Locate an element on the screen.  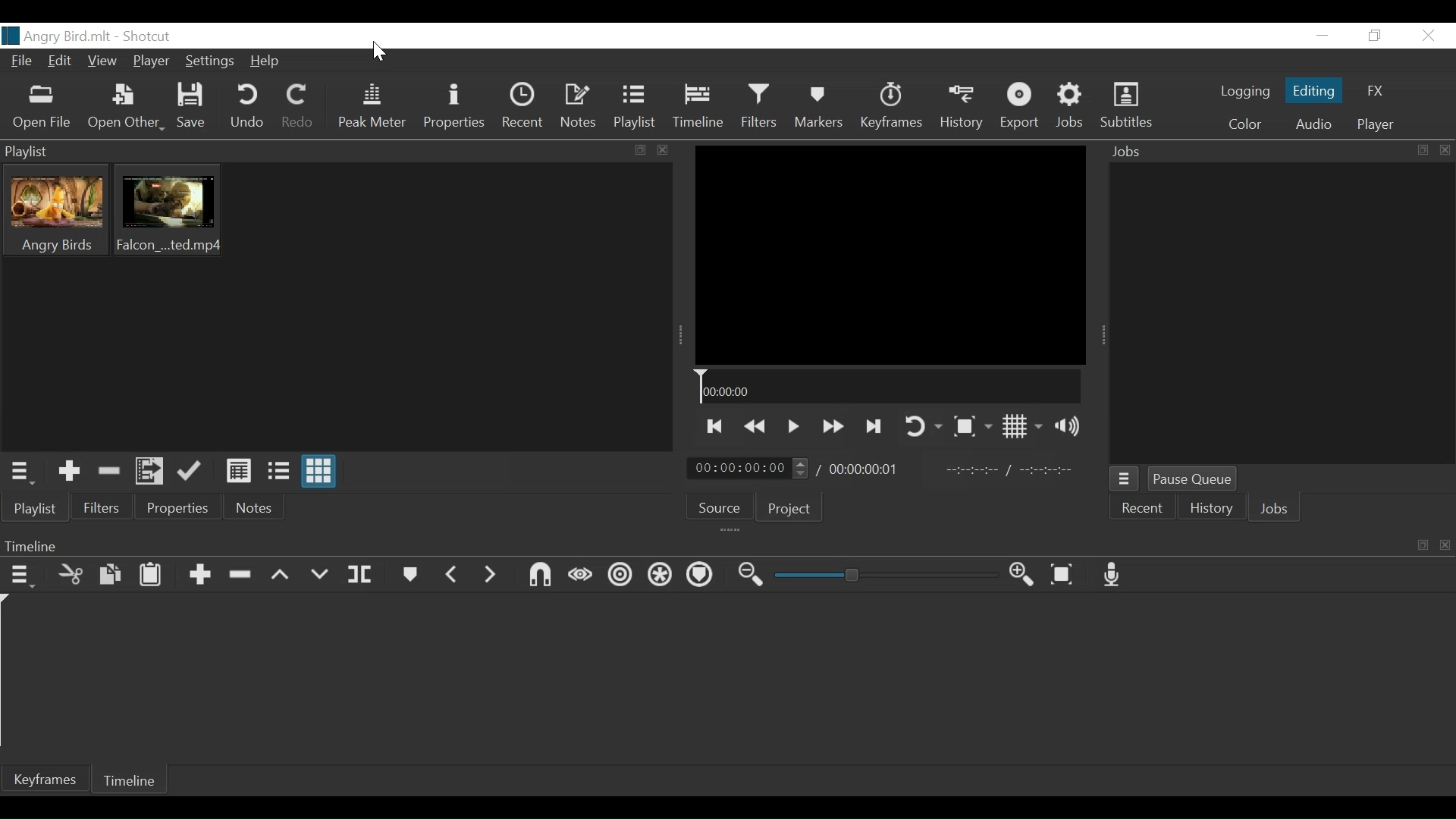
Append is located at coordinates (199, 575).